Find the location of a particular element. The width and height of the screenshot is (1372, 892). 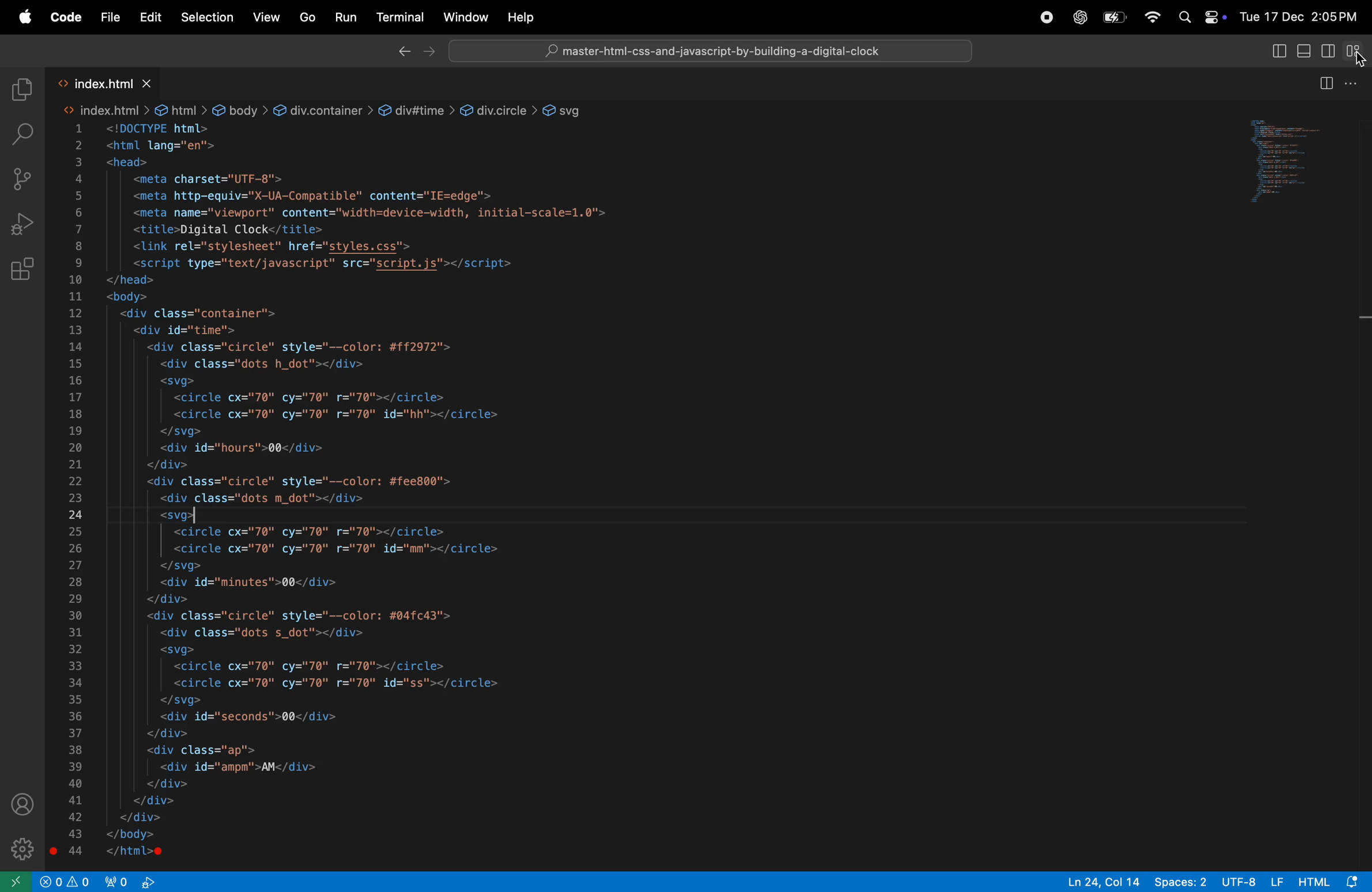

Spotlight is located at coordinates (1182, 18).